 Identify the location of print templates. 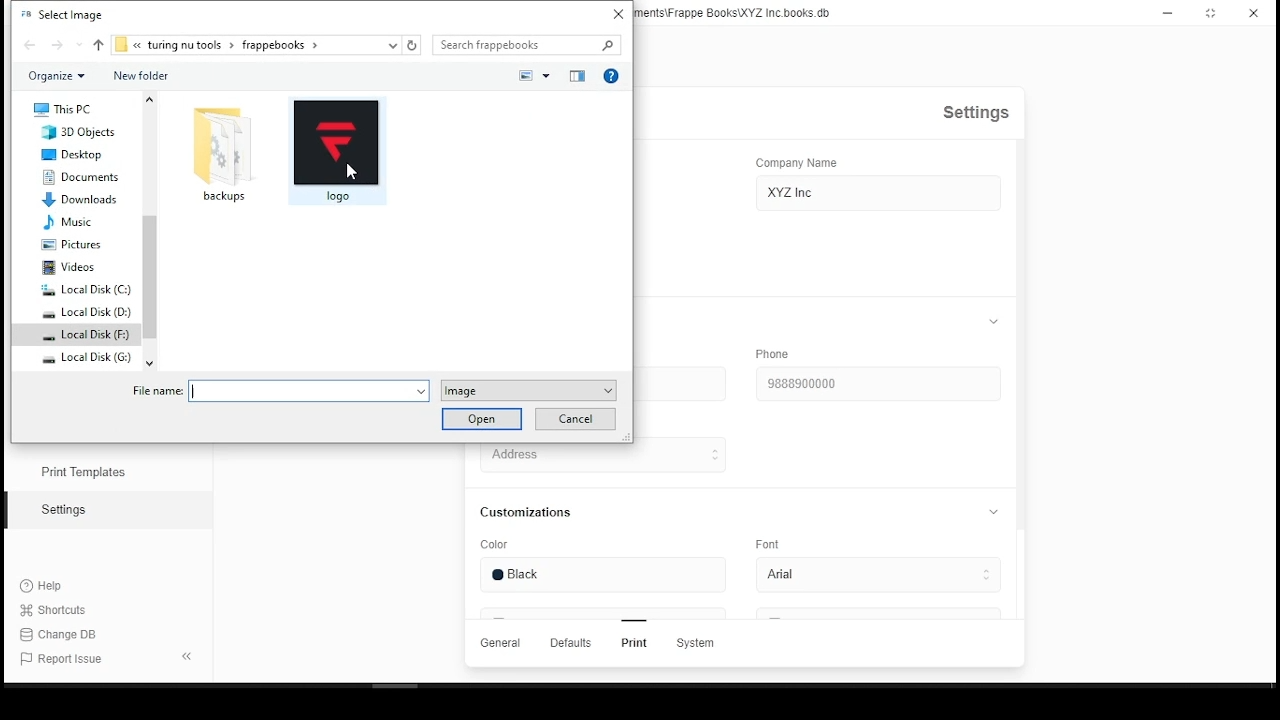
(79, 472).